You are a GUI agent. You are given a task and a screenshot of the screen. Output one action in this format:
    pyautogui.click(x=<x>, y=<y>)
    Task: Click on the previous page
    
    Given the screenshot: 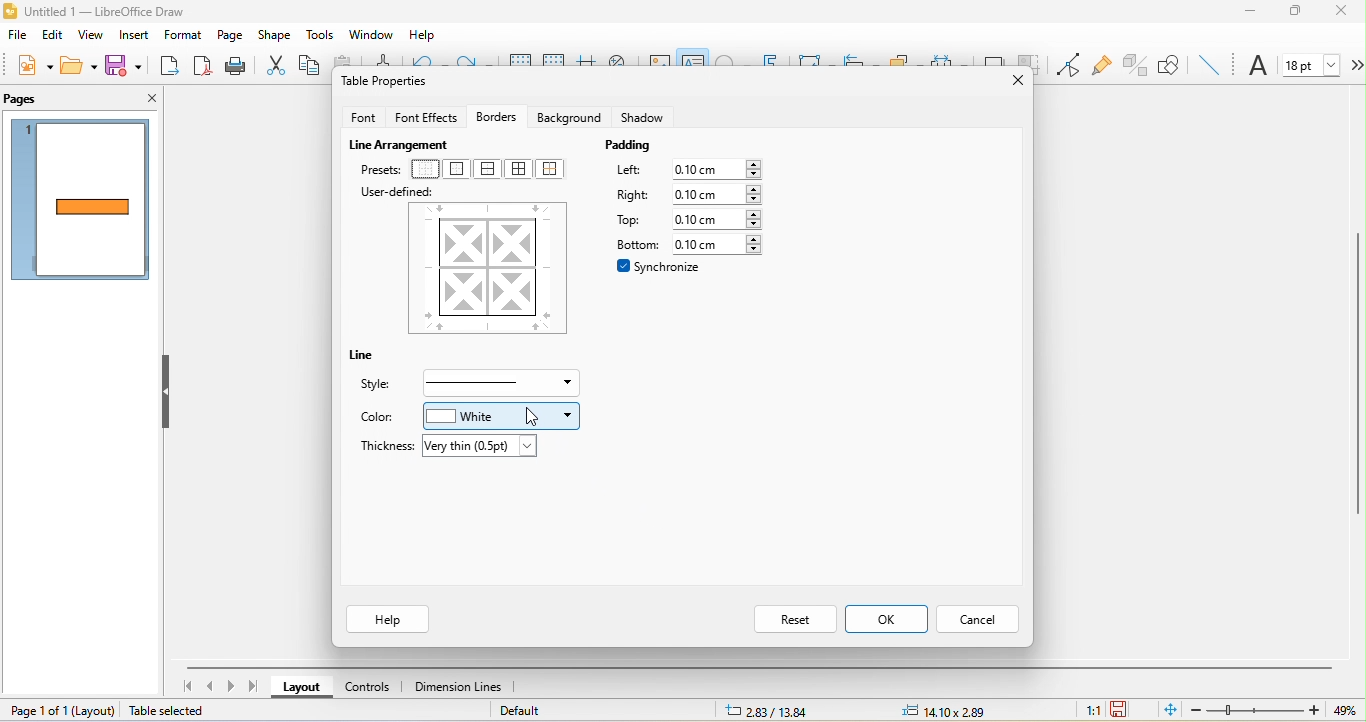 What is the action you would take?
    pyautogui.click(x=210, y=689)
    